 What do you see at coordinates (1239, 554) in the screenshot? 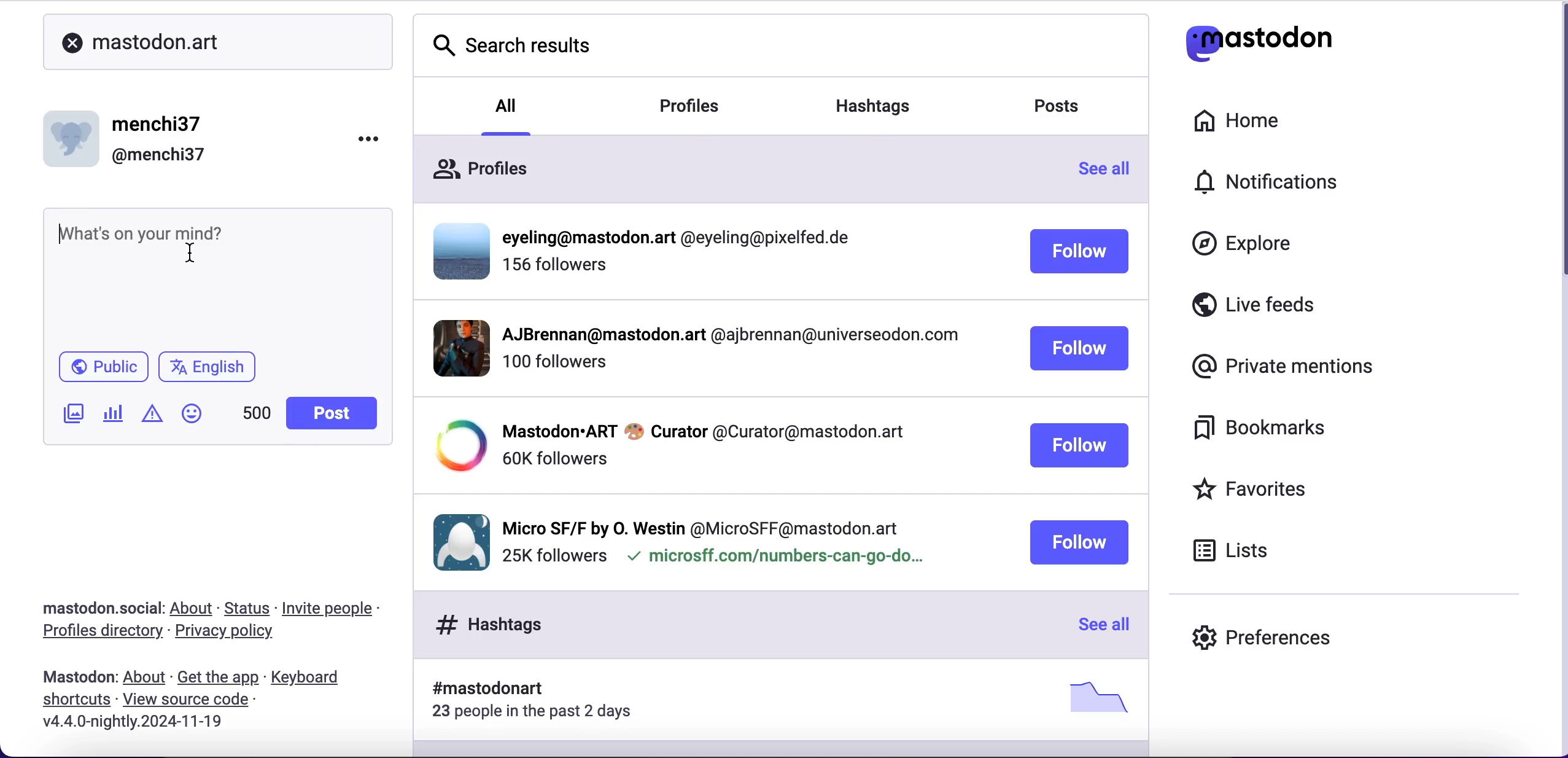
I see `lists` at bounding box center [1239, 554].